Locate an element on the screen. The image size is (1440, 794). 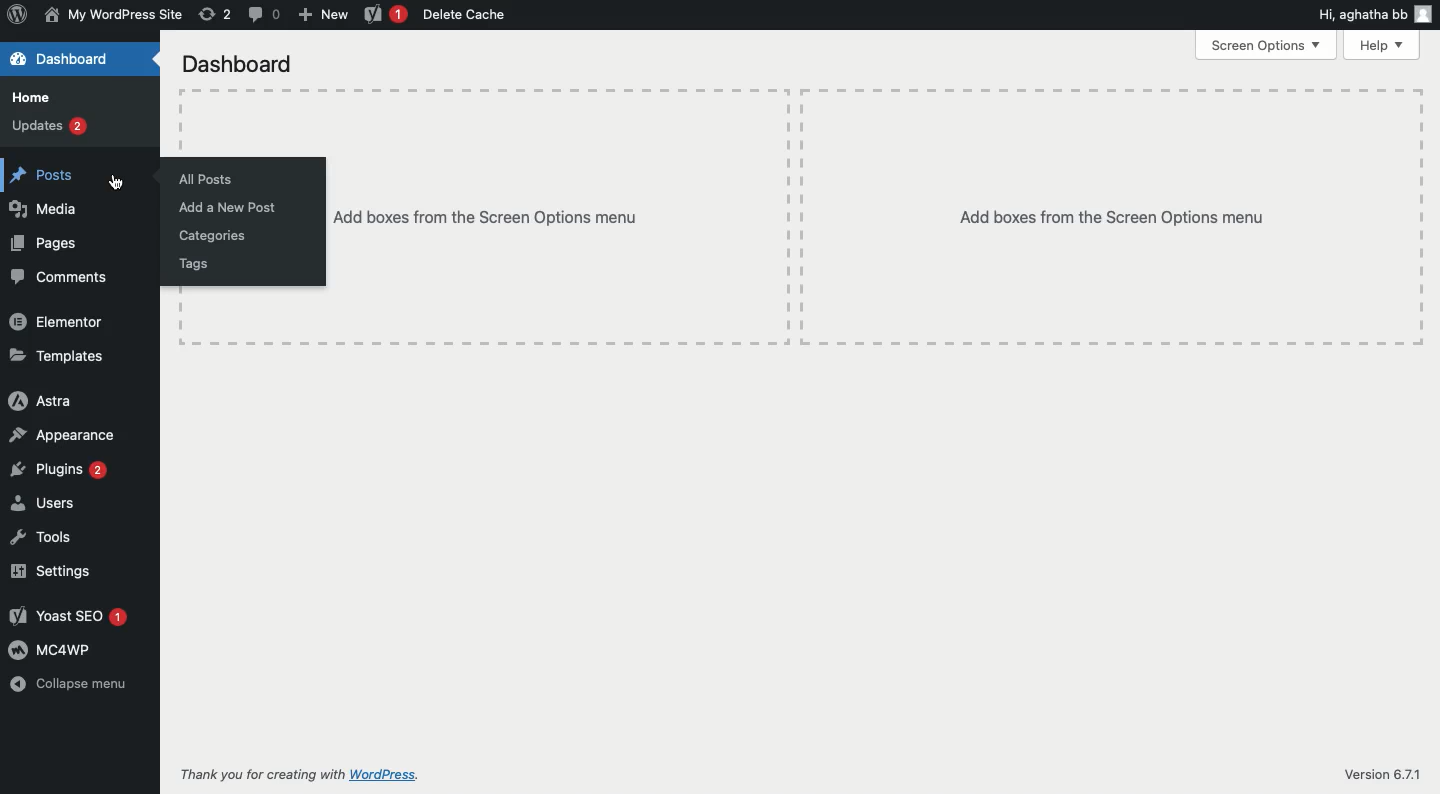
Version 6.71 is located at coordinates (1372, 771).